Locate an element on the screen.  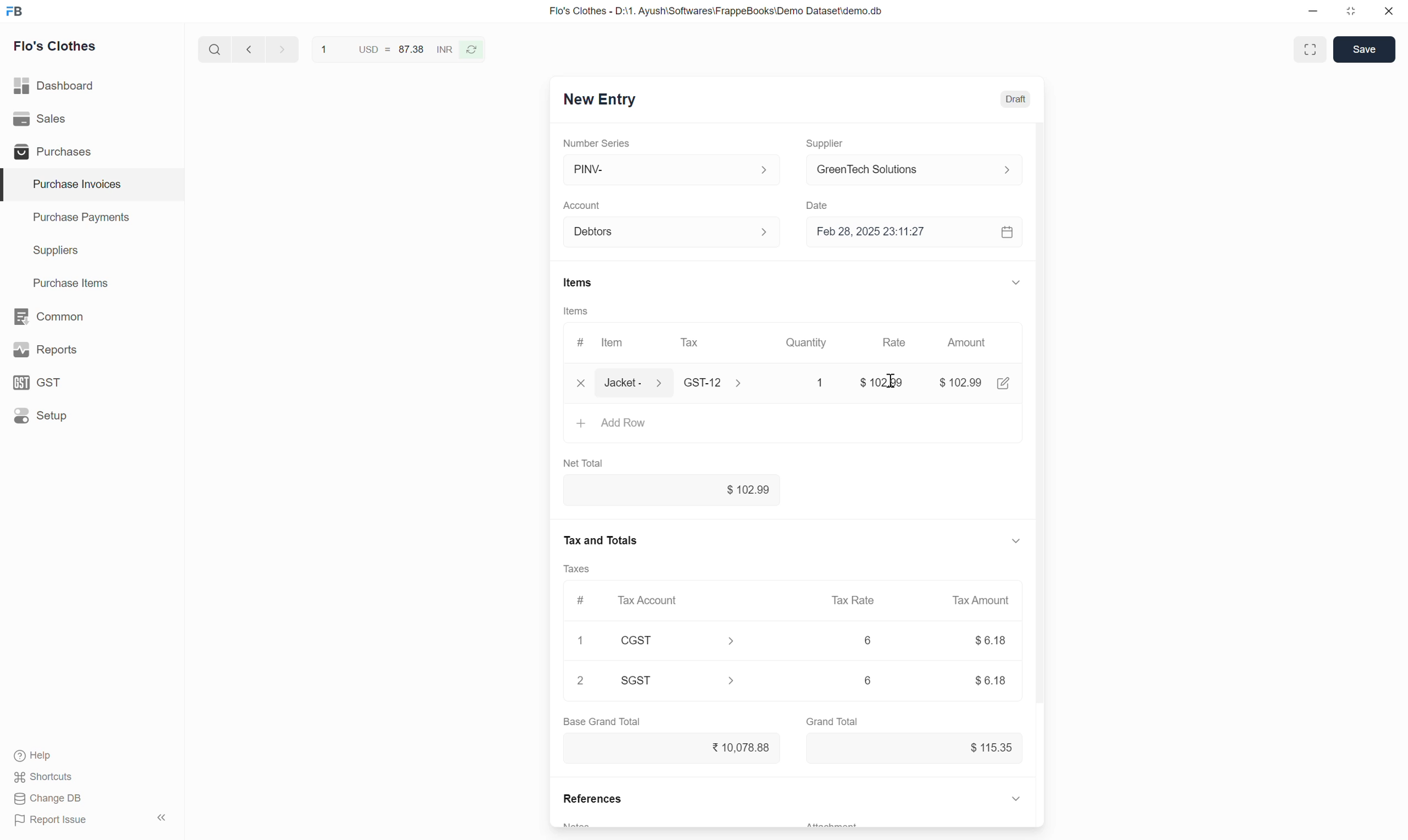
Help is located at coordinates (36, 756).